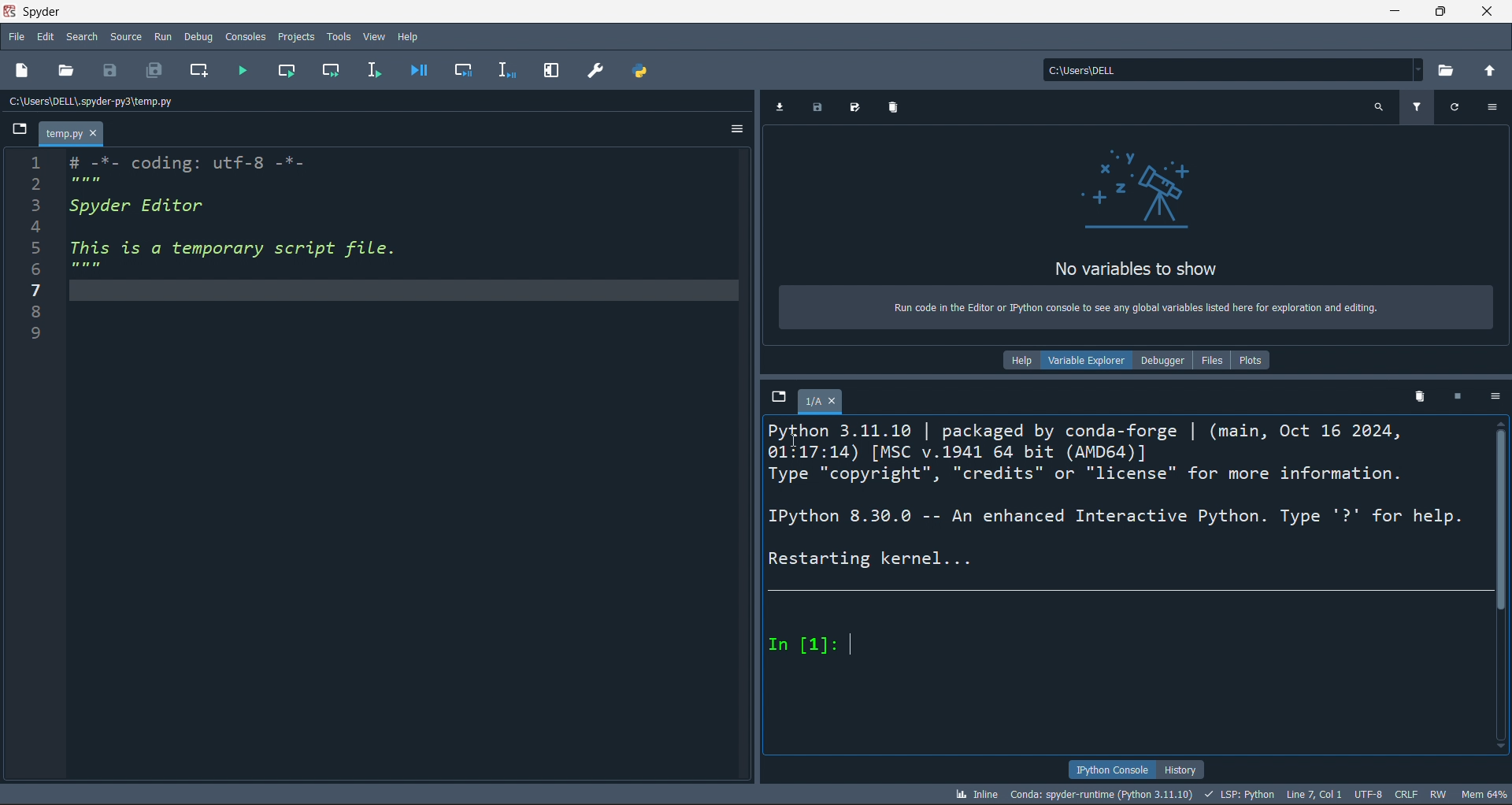  I want to click on CRLF, so click(1406, 795).